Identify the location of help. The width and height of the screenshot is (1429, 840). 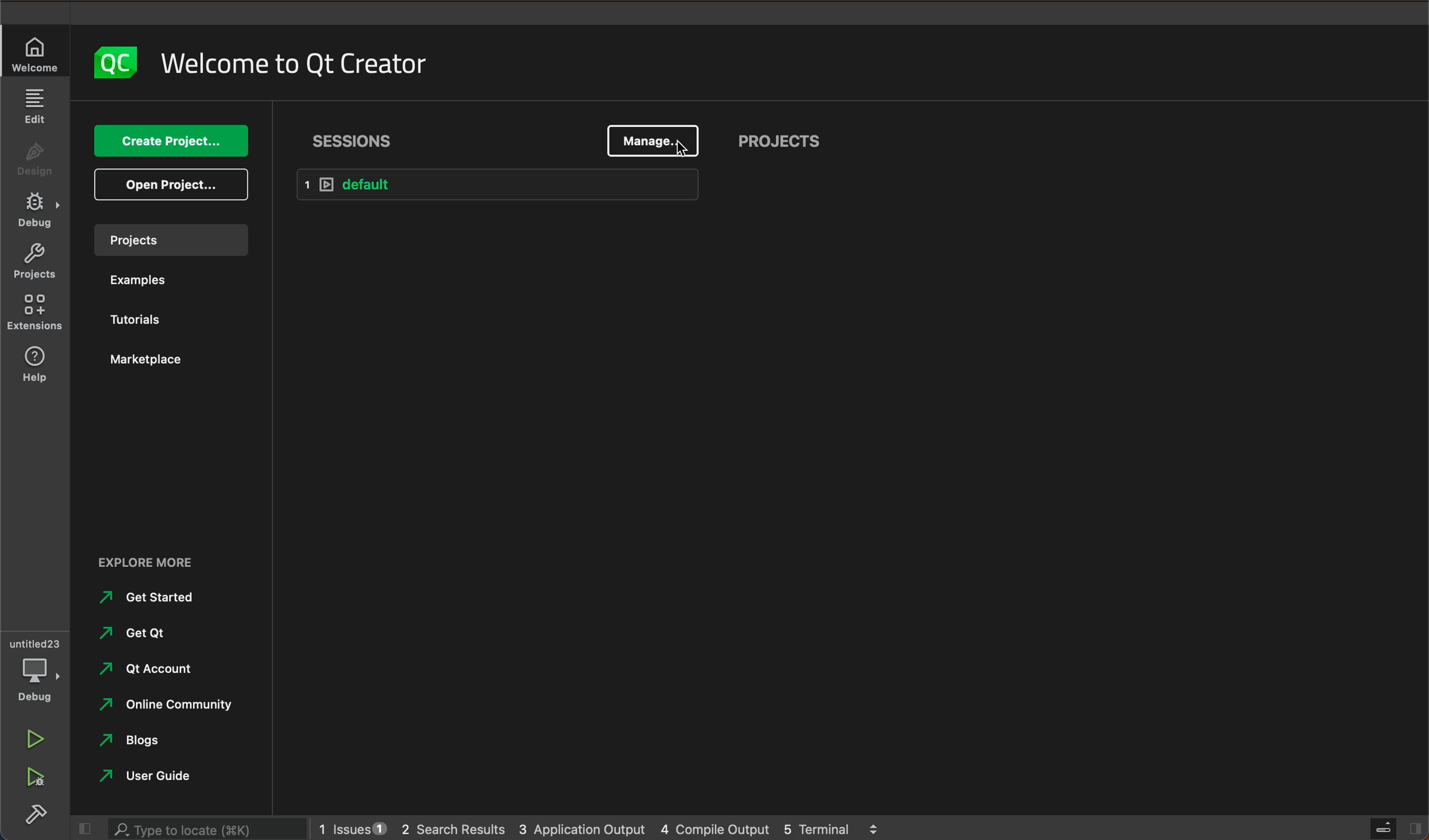
(38, 366).